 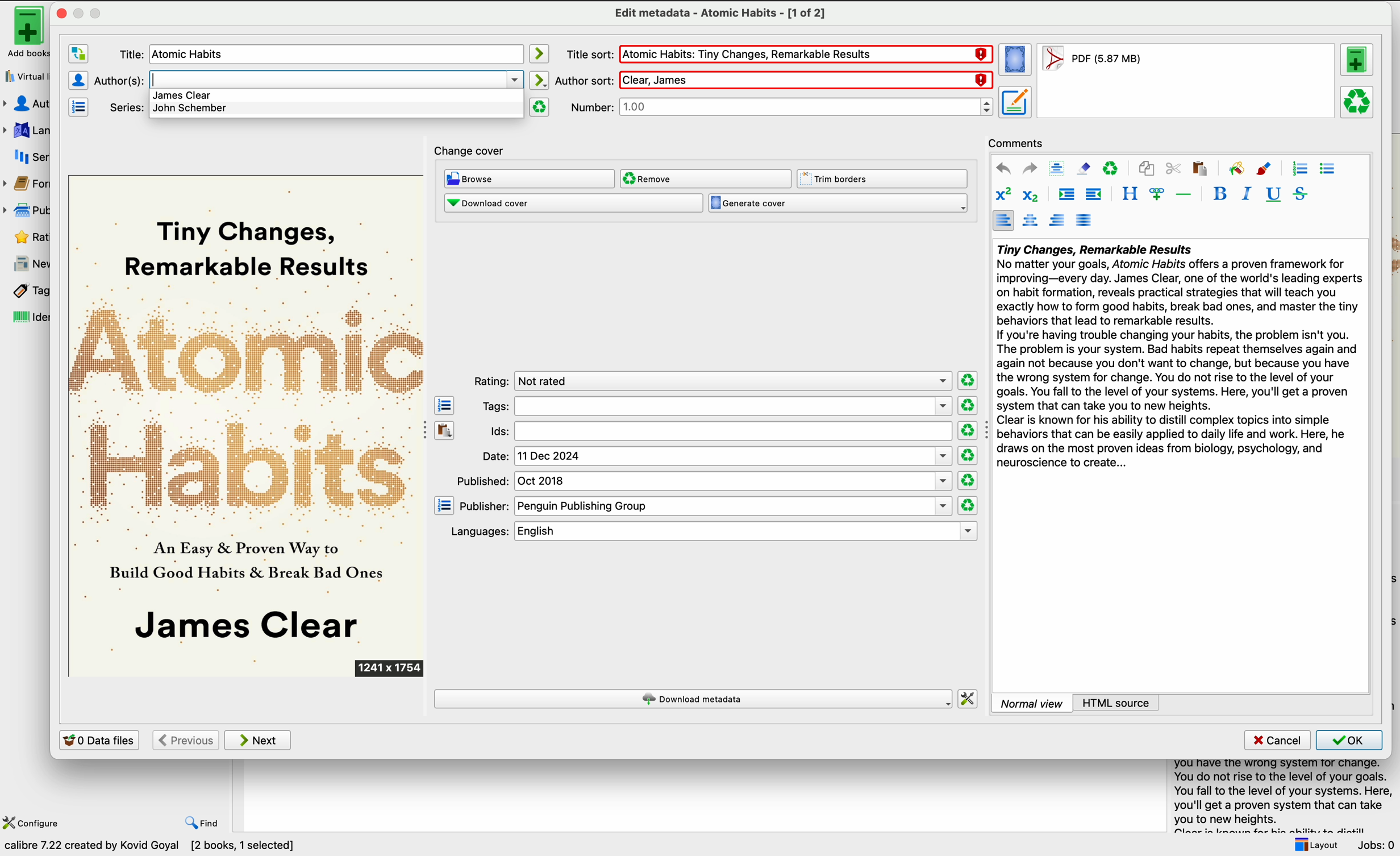 What do you see at coordinates (1015, 103) in the screenshot?
I see `set metadata for the book from the selected format` at bounding box center [1015, 103].